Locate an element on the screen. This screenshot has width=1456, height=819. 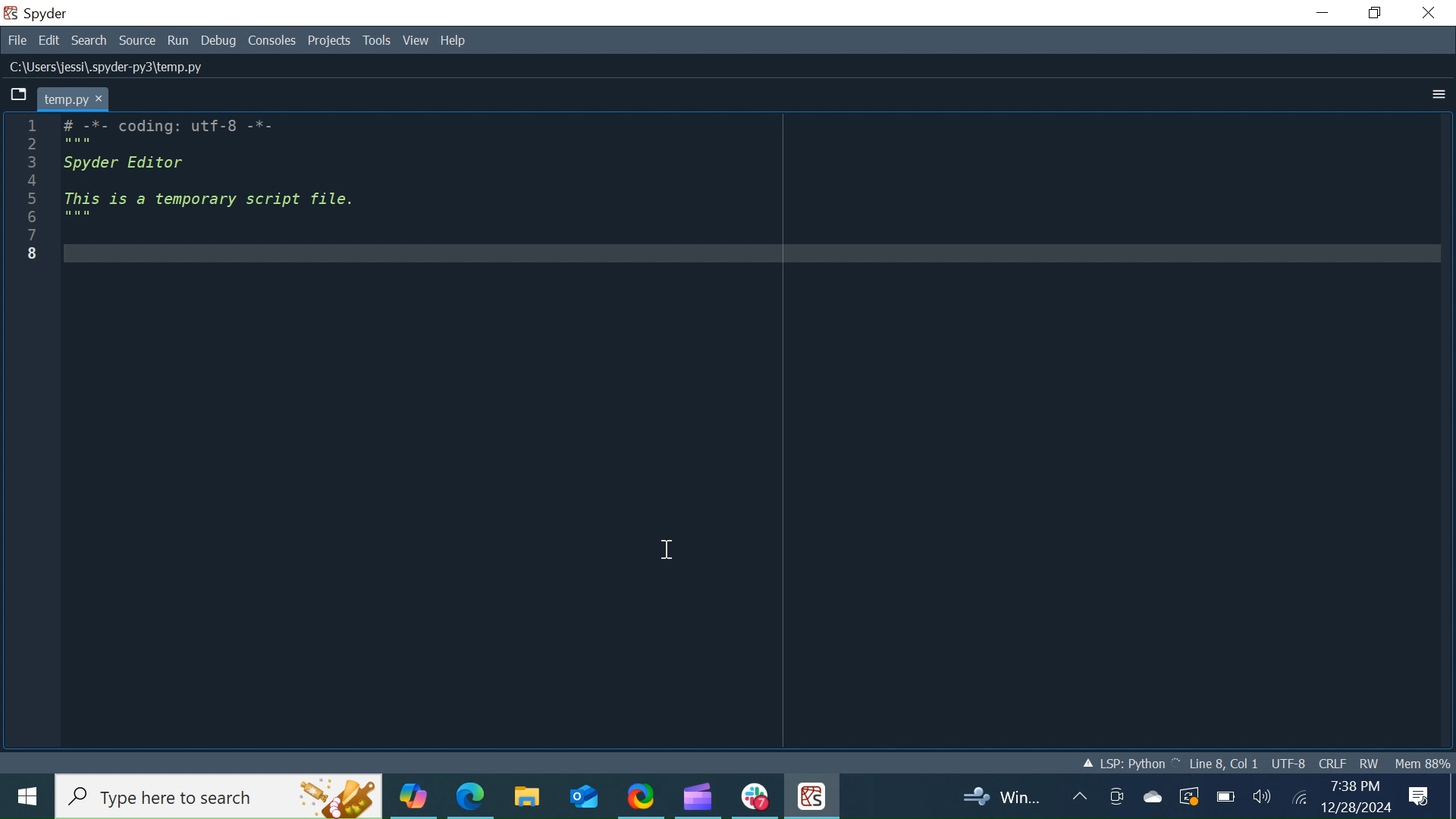
Spyder Desktop Icon is located at coordinates (813, 792).